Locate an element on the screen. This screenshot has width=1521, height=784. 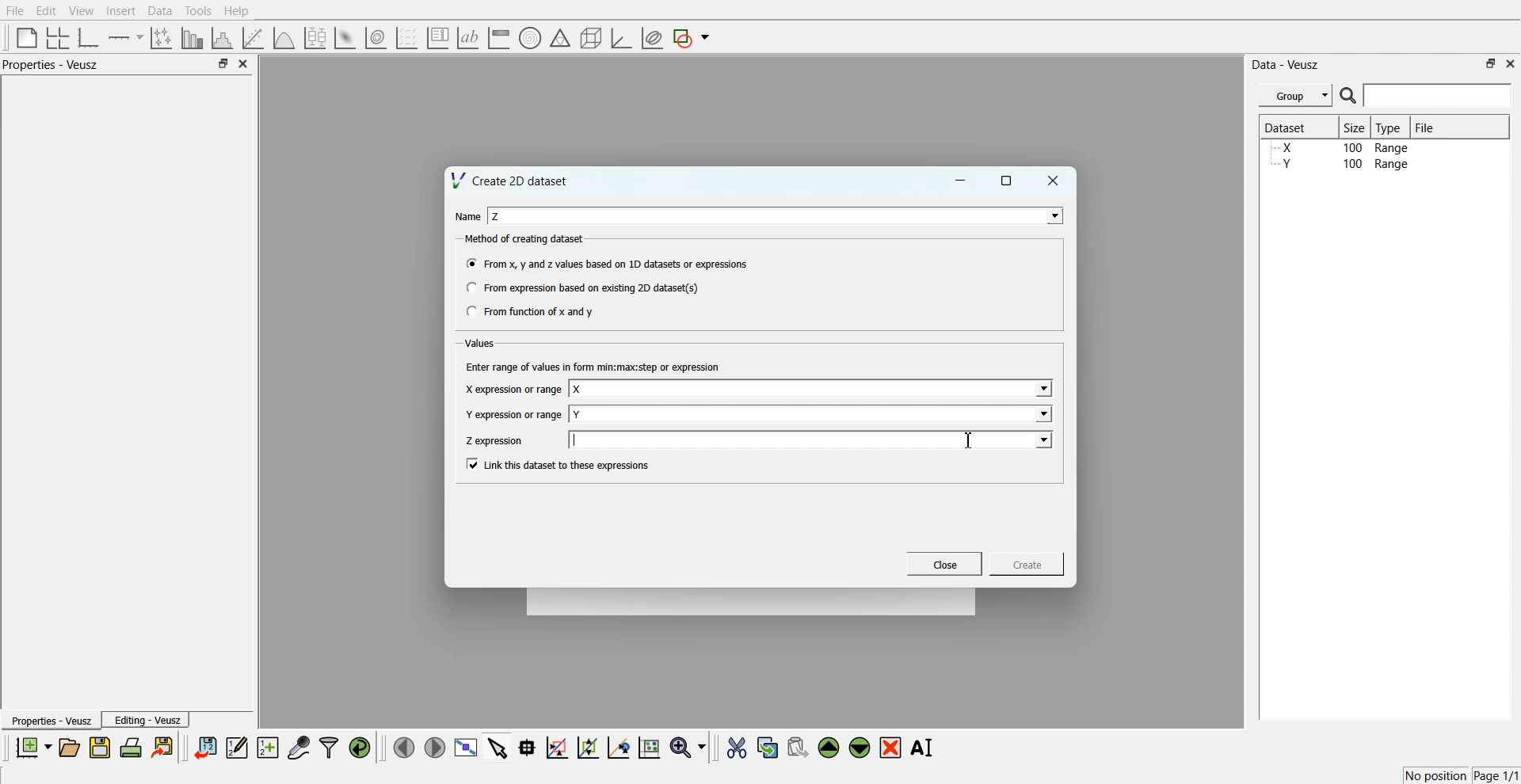
3D Volume is located at coordinates (375, 38).